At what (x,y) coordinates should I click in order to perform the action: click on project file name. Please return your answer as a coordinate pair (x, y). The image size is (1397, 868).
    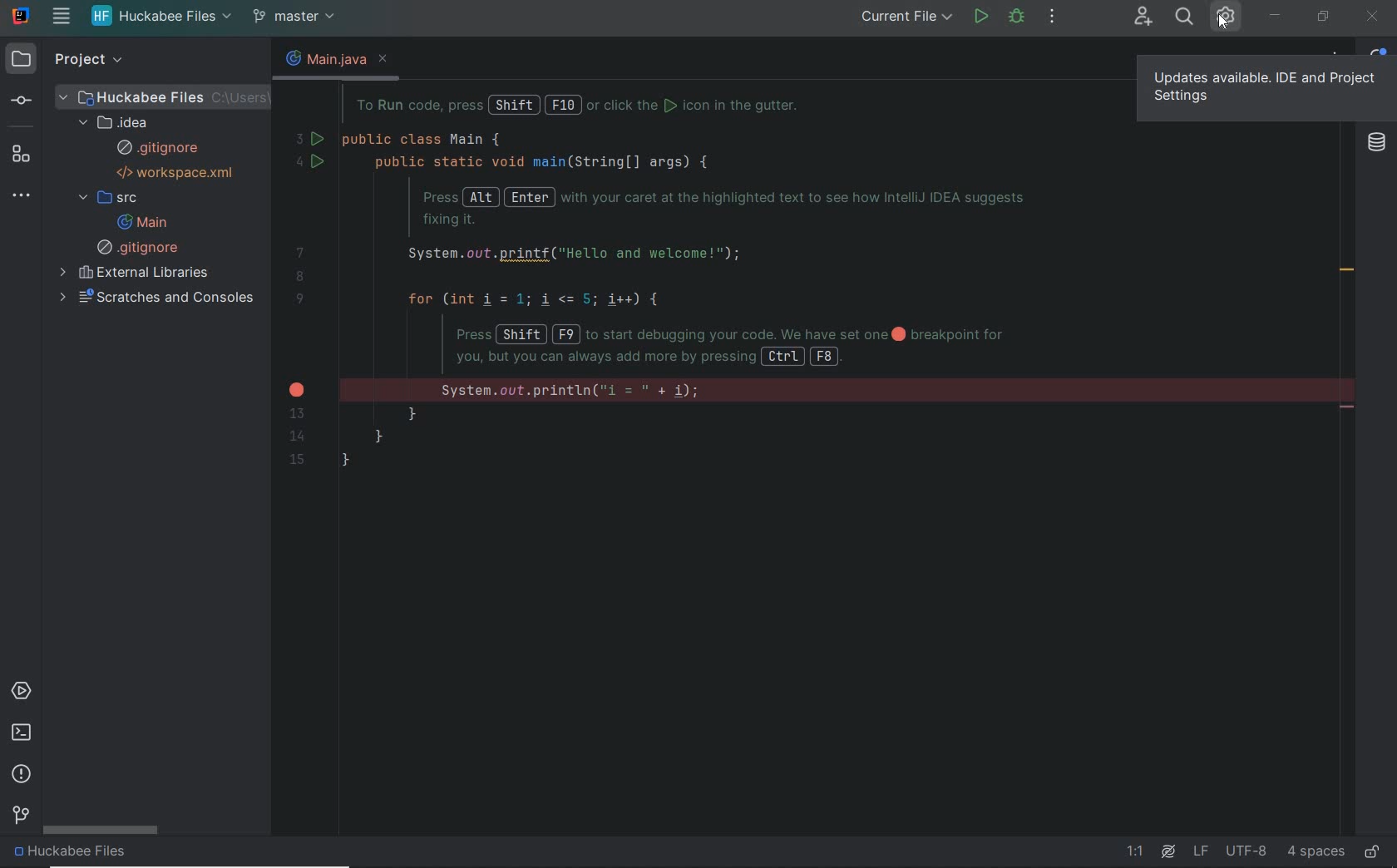
    Looking at the image, I should click on (161, 17).